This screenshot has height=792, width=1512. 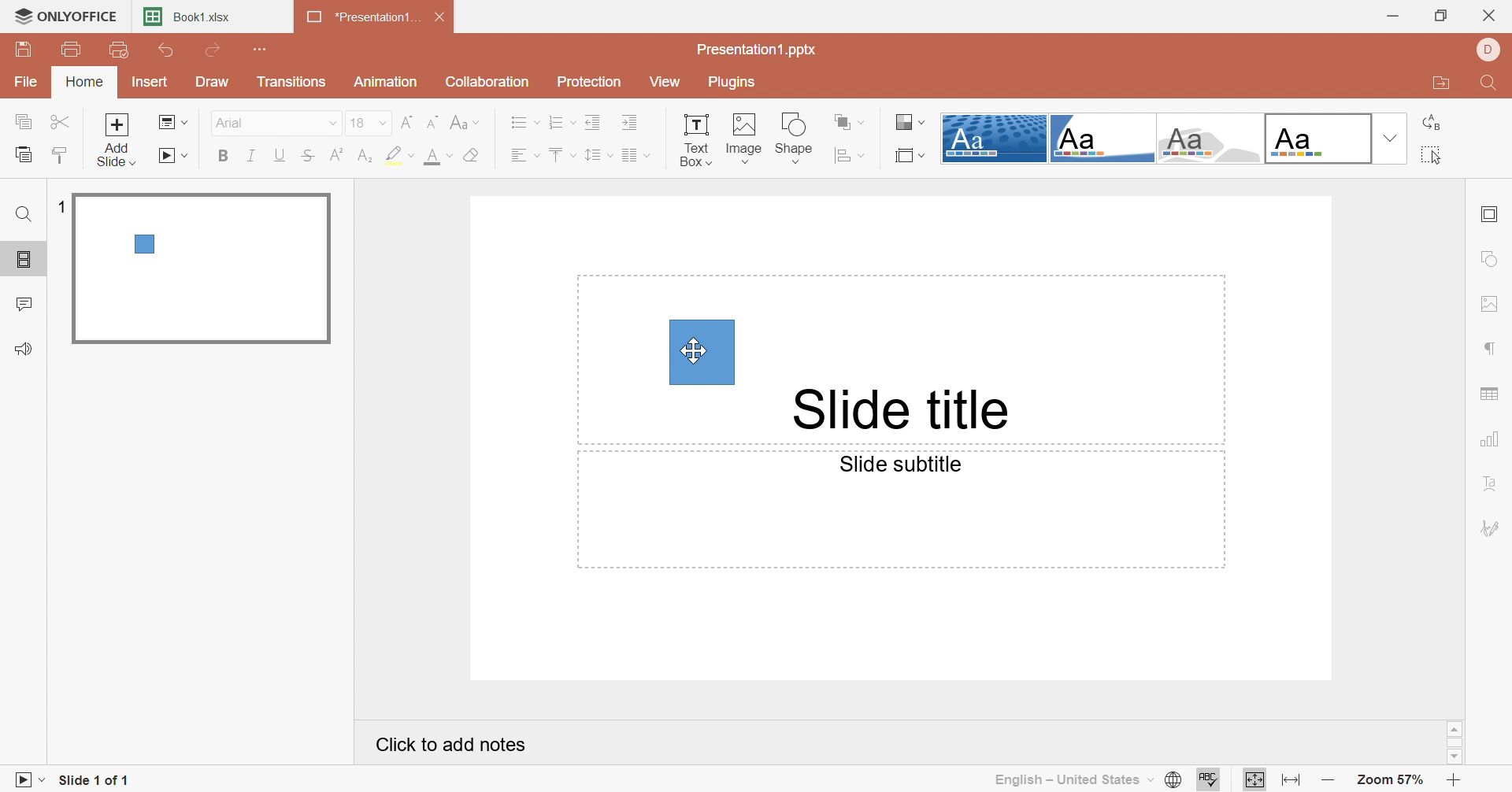 I want to click on Transitions, so click(x=292, y=86).